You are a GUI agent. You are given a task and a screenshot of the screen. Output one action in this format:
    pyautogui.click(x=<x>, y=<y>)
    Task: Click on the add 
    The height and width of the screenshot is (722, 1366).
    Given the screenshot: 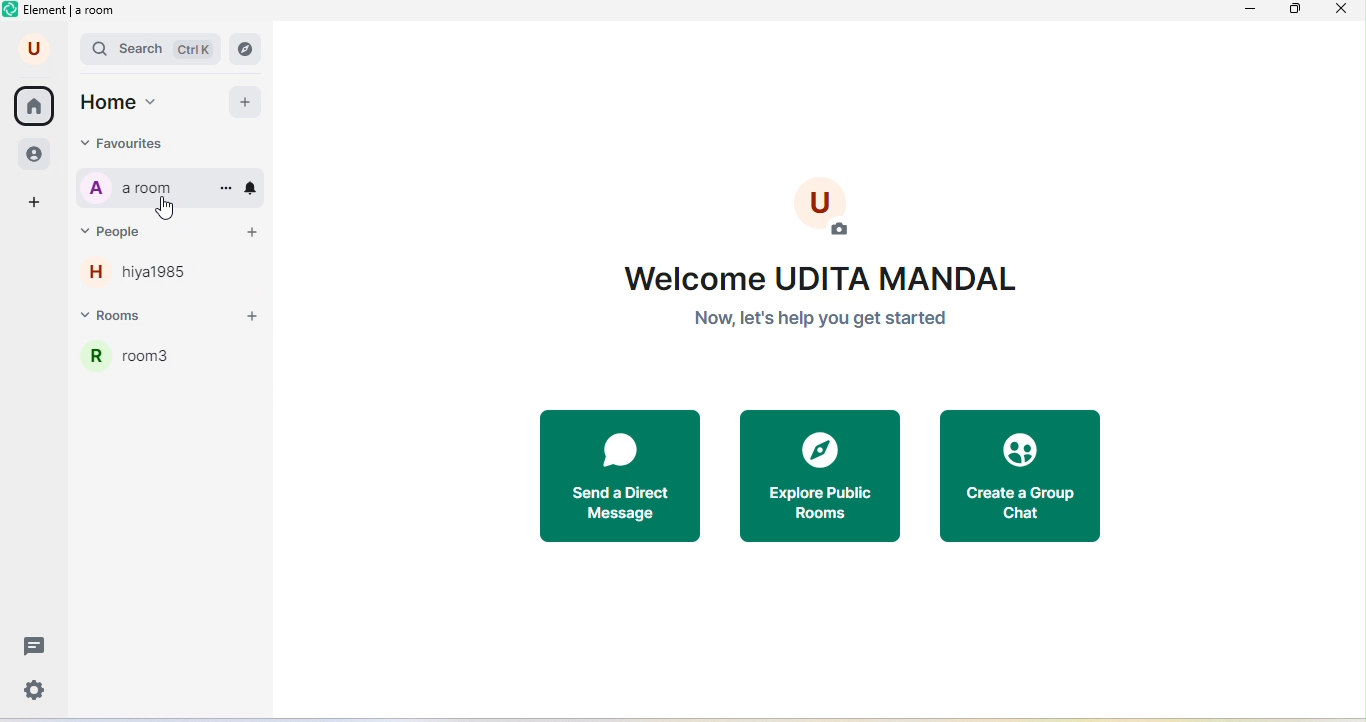 What is the action you would take?
    pyautogui.click(x=246, y=104)
    